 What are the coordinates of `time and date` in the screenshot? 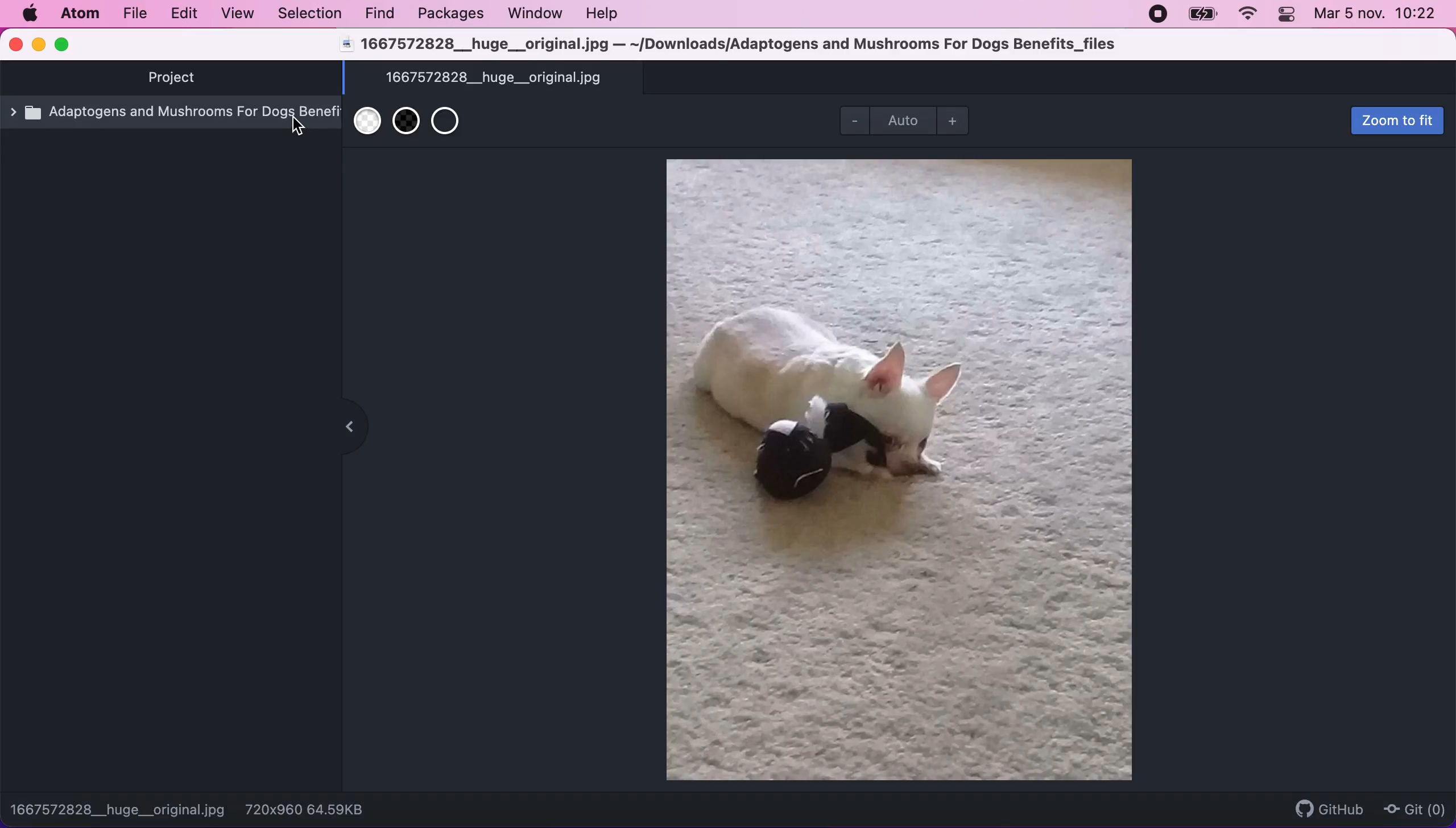 It's located at (1377, 15).